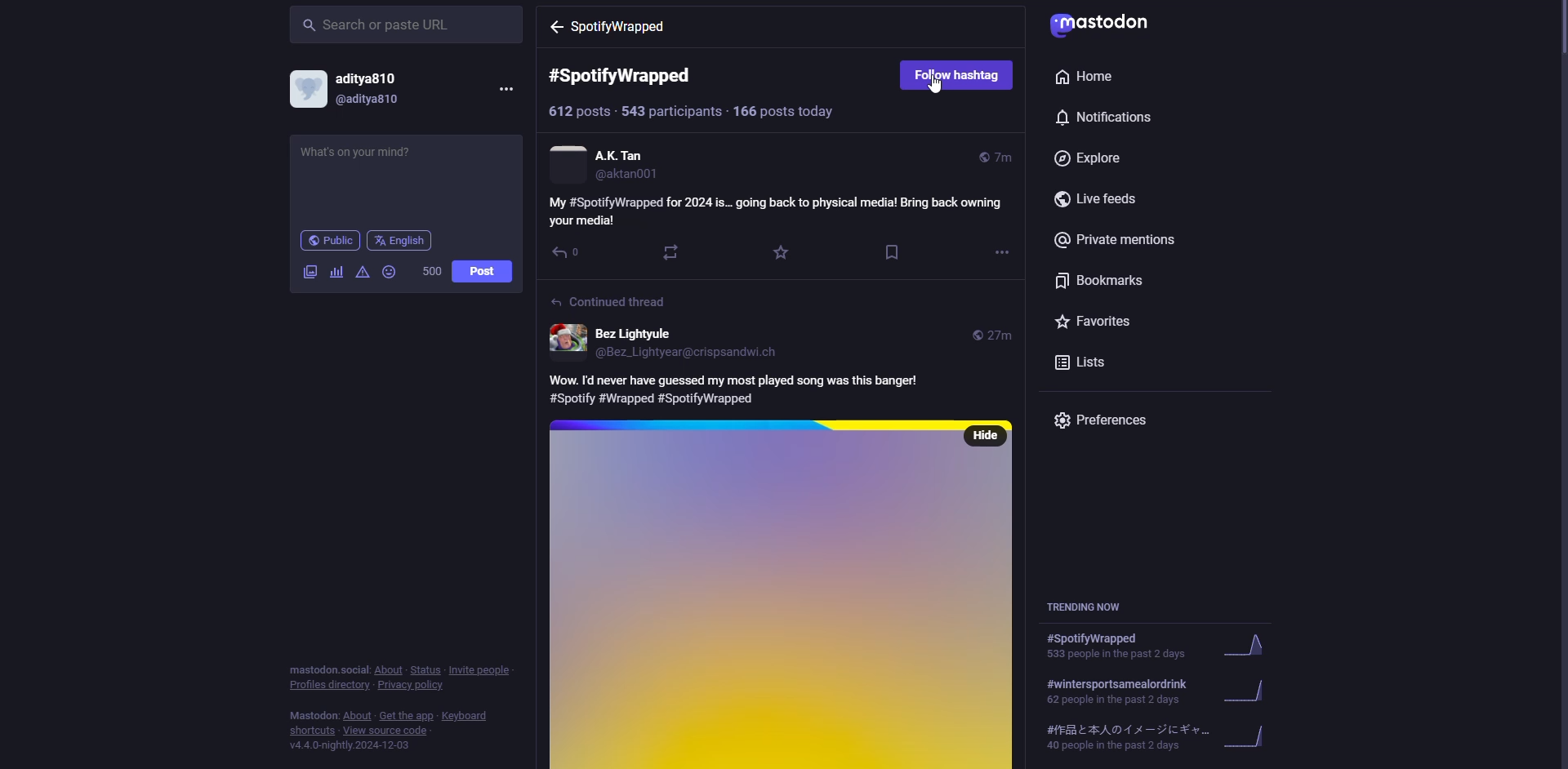  What do you see at coordinates (956, 77) in the screenshot?
I see `follow hashtag` at bounding box center [956, 77].